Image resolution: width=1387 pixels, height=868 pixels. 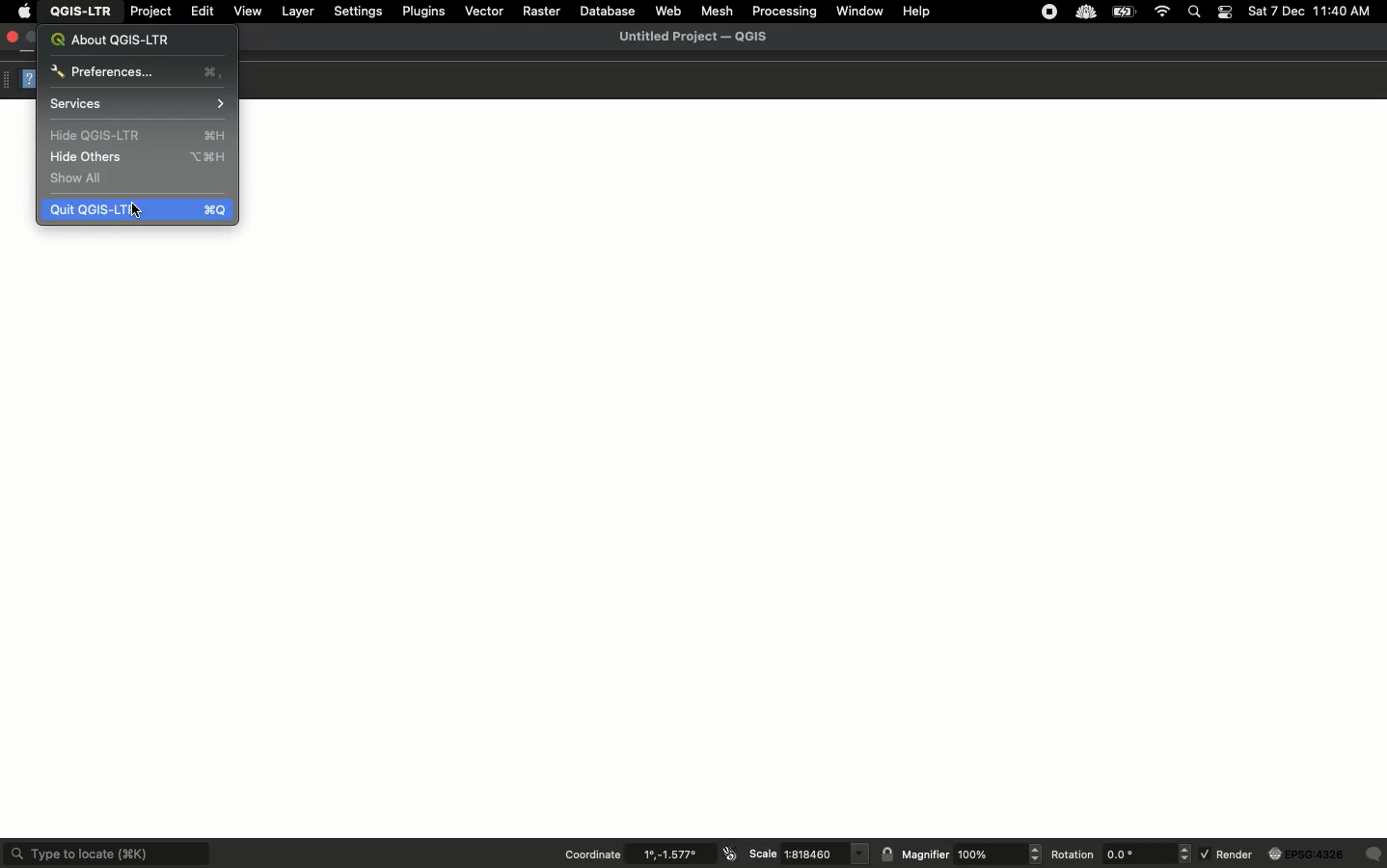 What do you see at coordinates (81, 12) in the screenshot?
I see `QGIS` at bounding box center [81, 12].